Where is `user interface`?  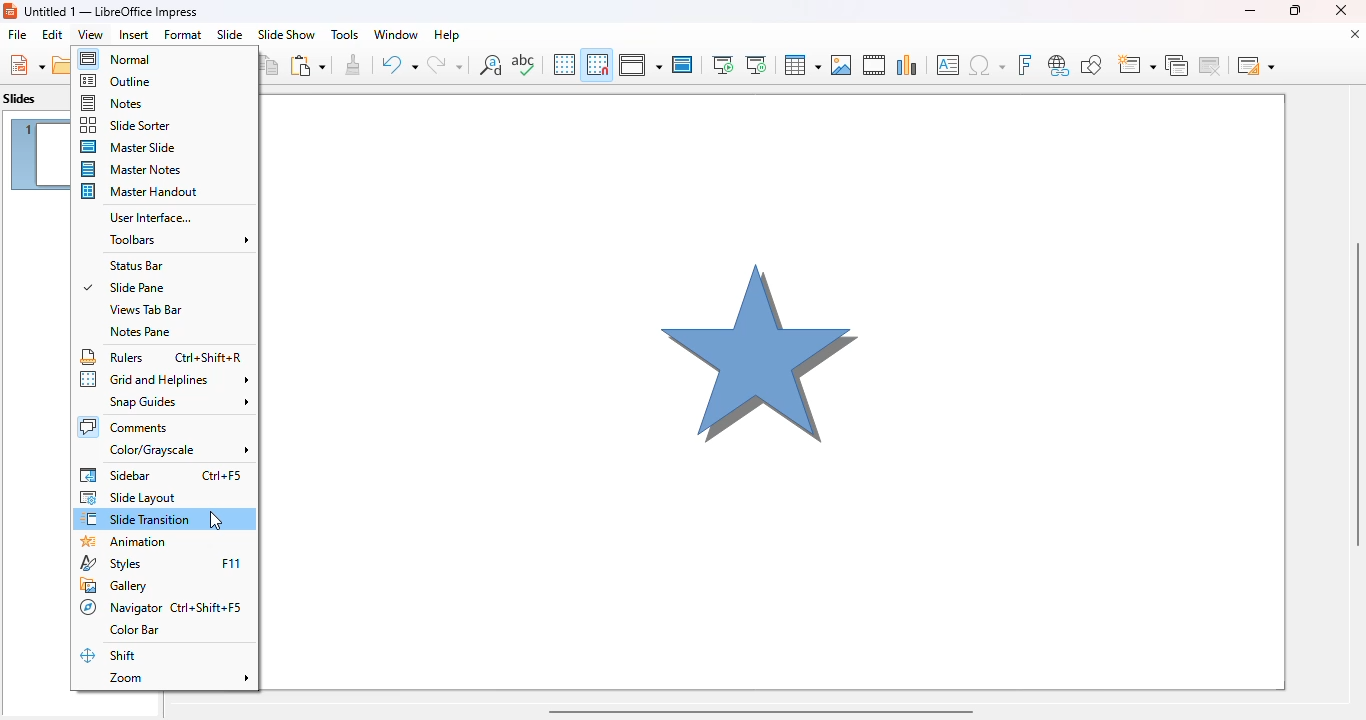
user interface is located at coordinates (151, 218).